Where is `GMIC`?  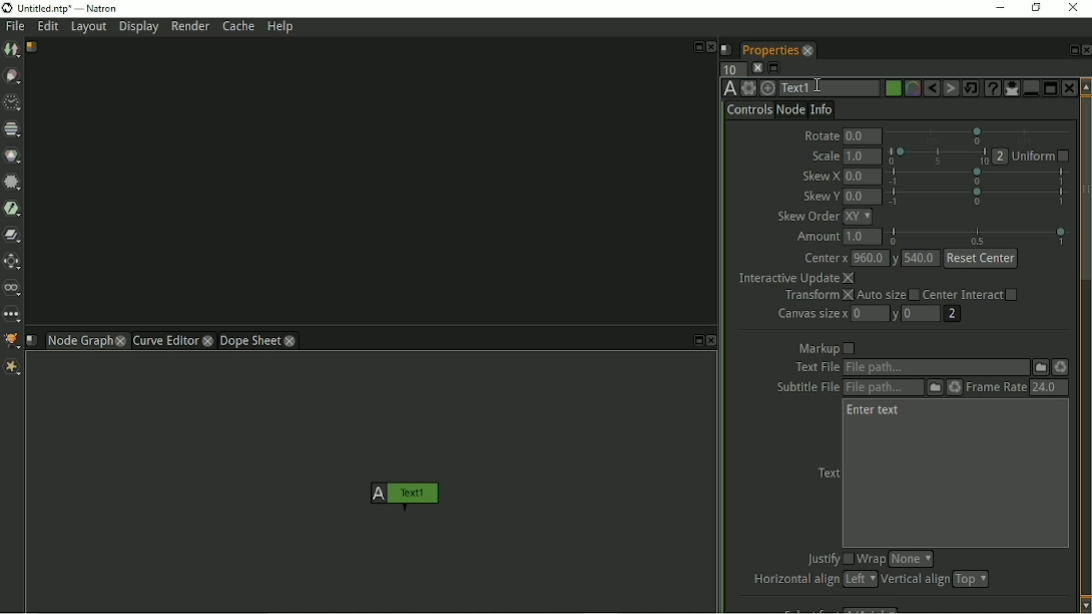
GMIC is located at coordinates (12, 341).